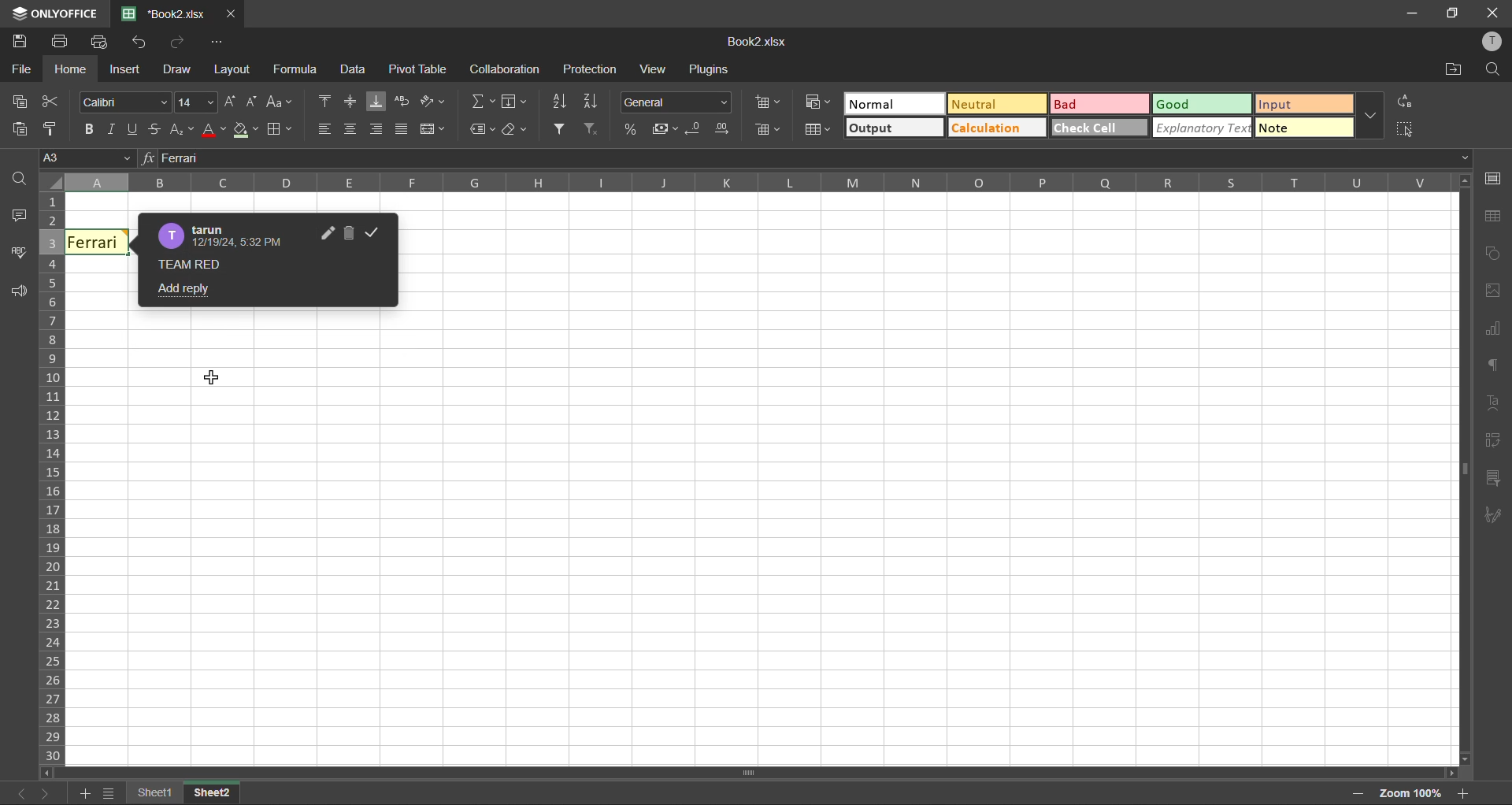 This screenshot has width=1512, height=805. What do you see at coordinates (1201, 129) in the screenshot?
I see `explanatory text` at bounding box center [1201, 129].